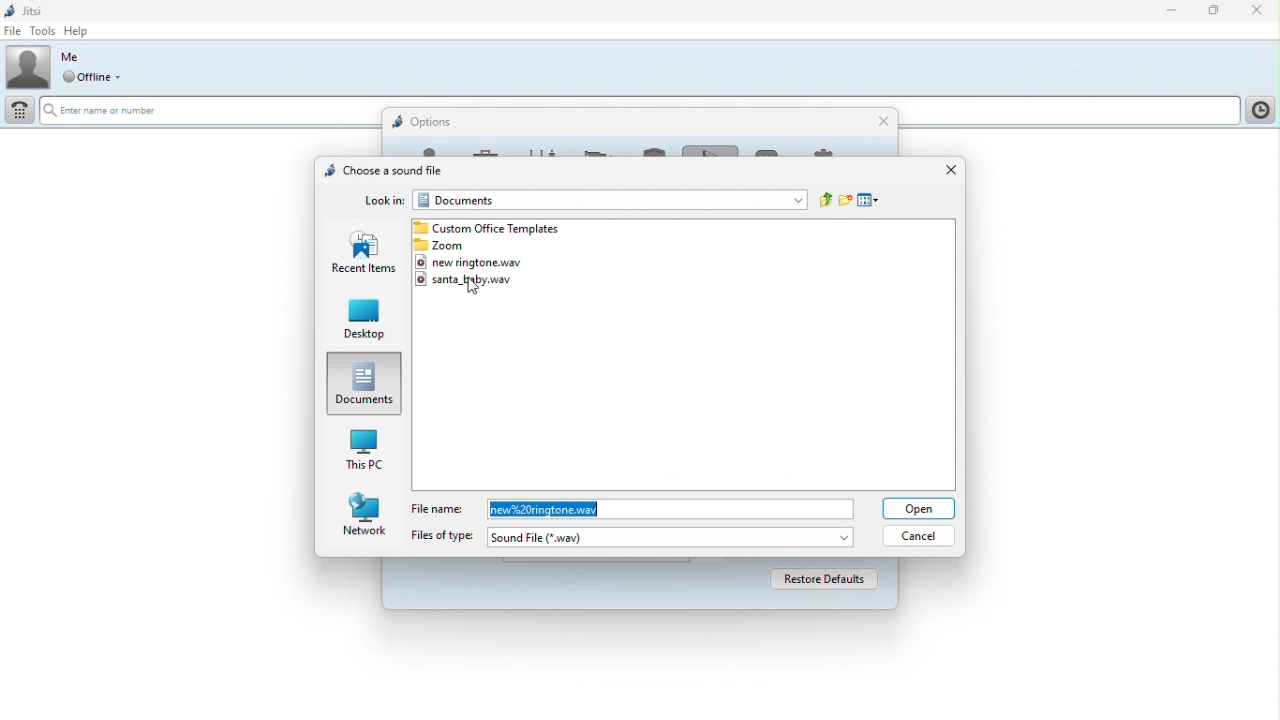 This screenshot has height=720, width=1280. I want to click on options , so click(428, 120).